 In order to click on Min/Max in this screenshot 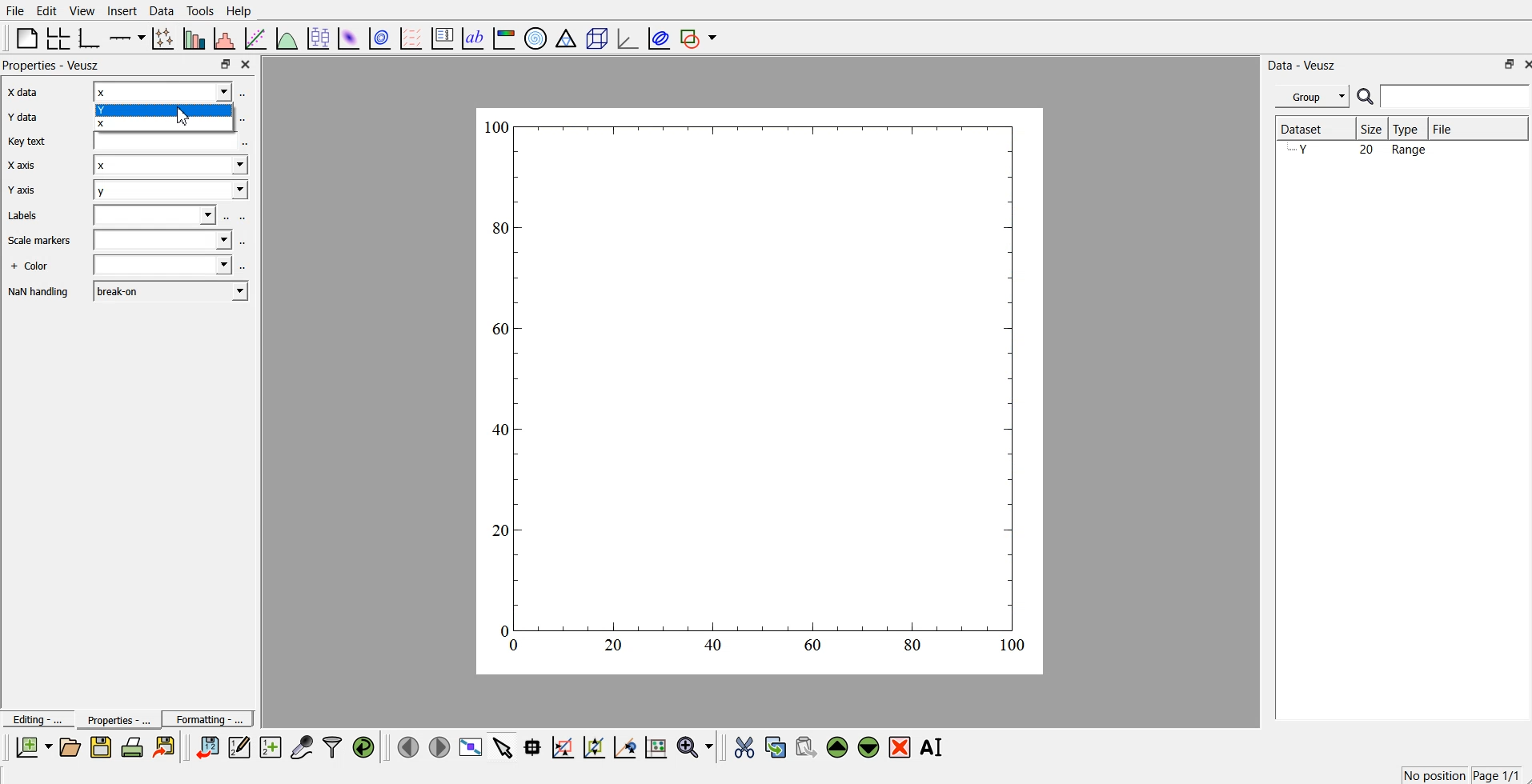, I will do `click(226, 64)`.